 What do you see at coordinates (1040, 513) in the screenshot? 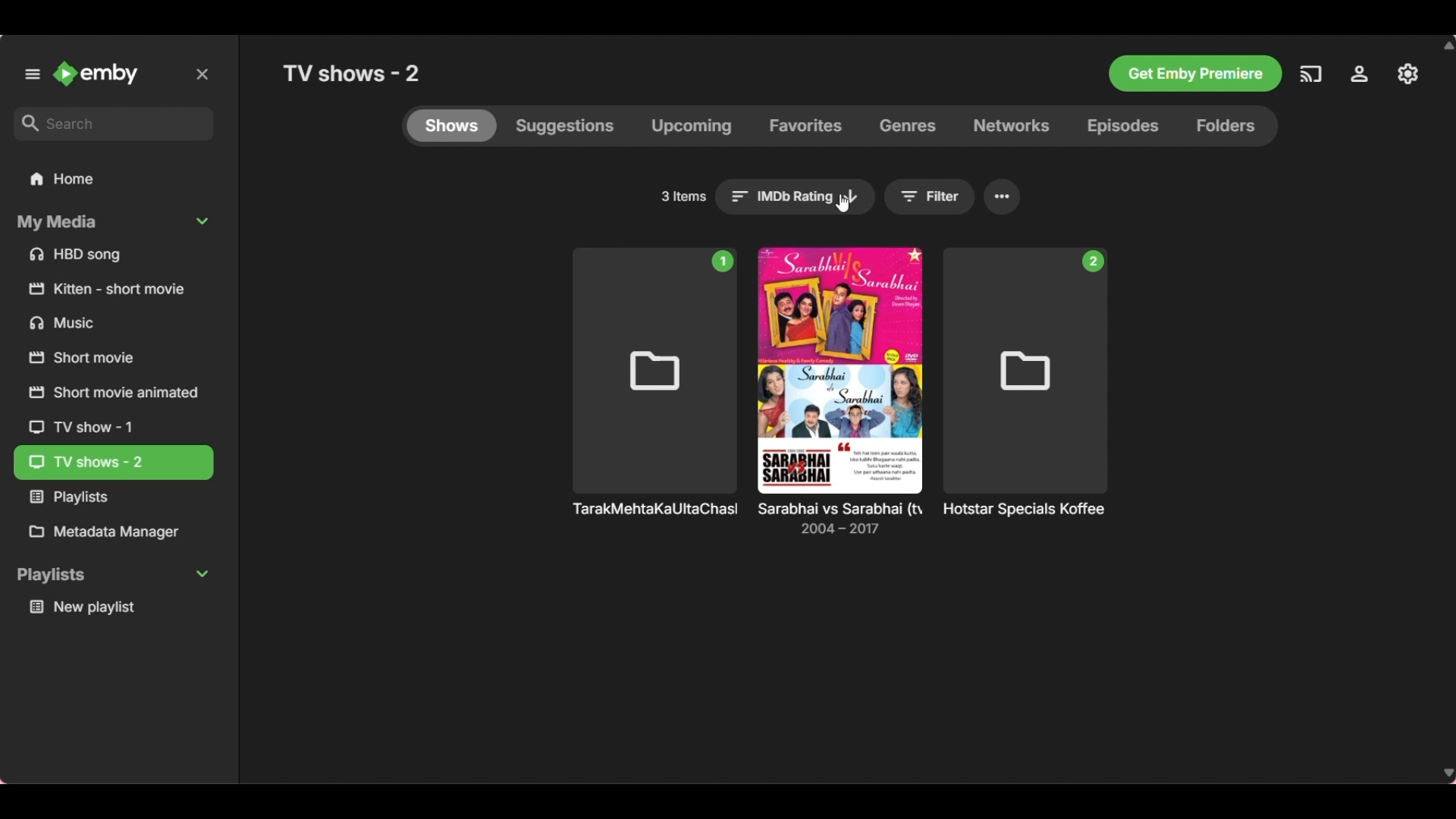
I see `` at bounding box center [1040, 513].